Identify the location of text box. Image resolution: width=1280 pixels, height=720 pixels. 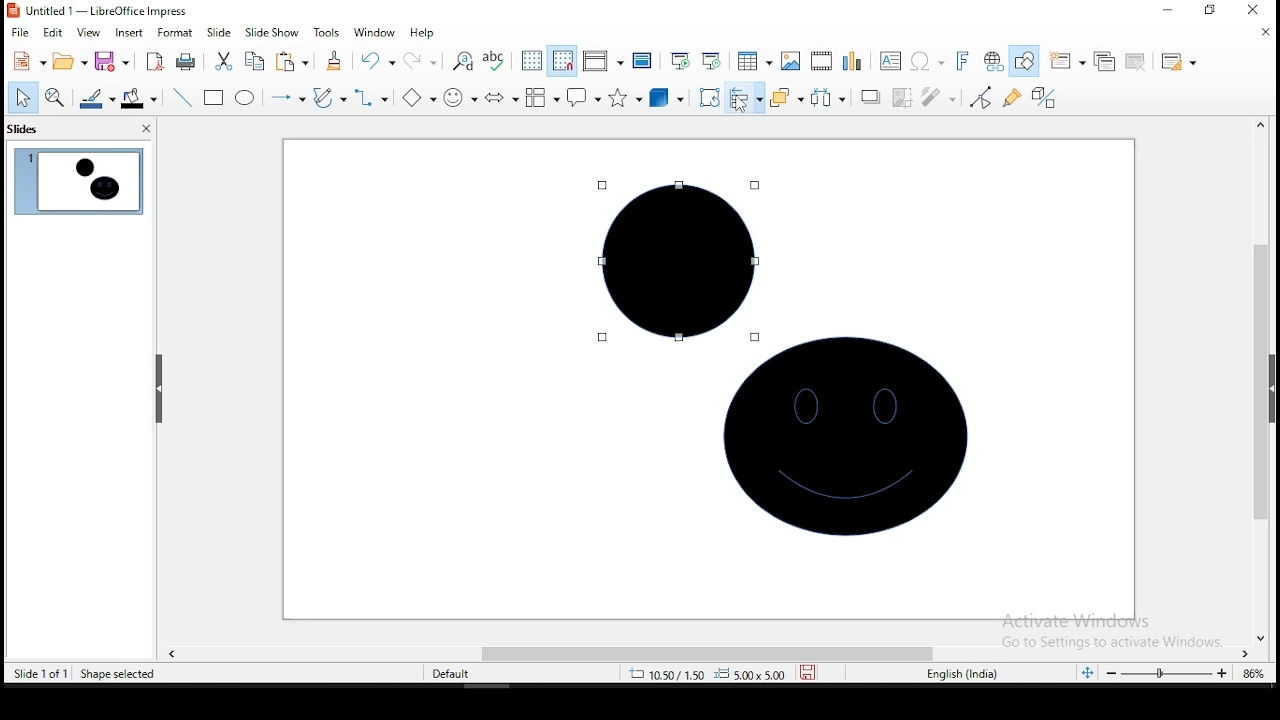
(892, 60).